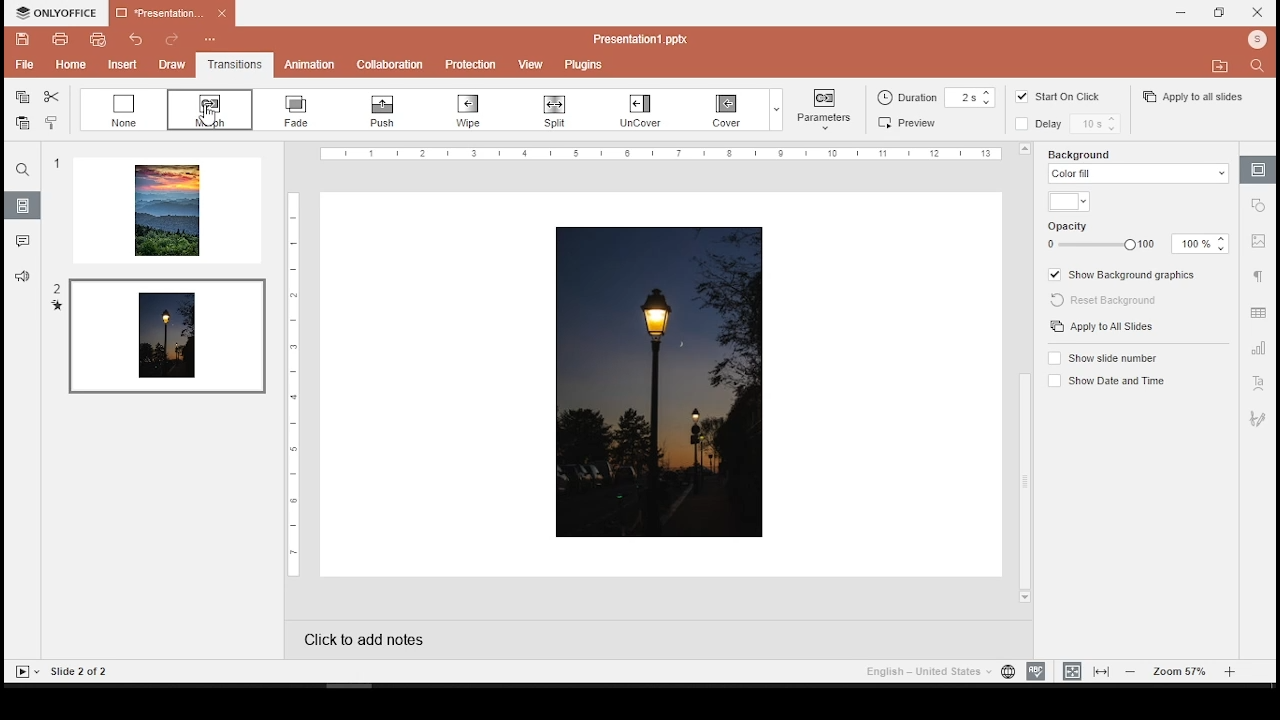 Image resolution: width=1280 pixels, height=720 pixels. Describe the element at coordinates (1181, 672) in the screenshot. I see `Zoom 571% +` at that location.